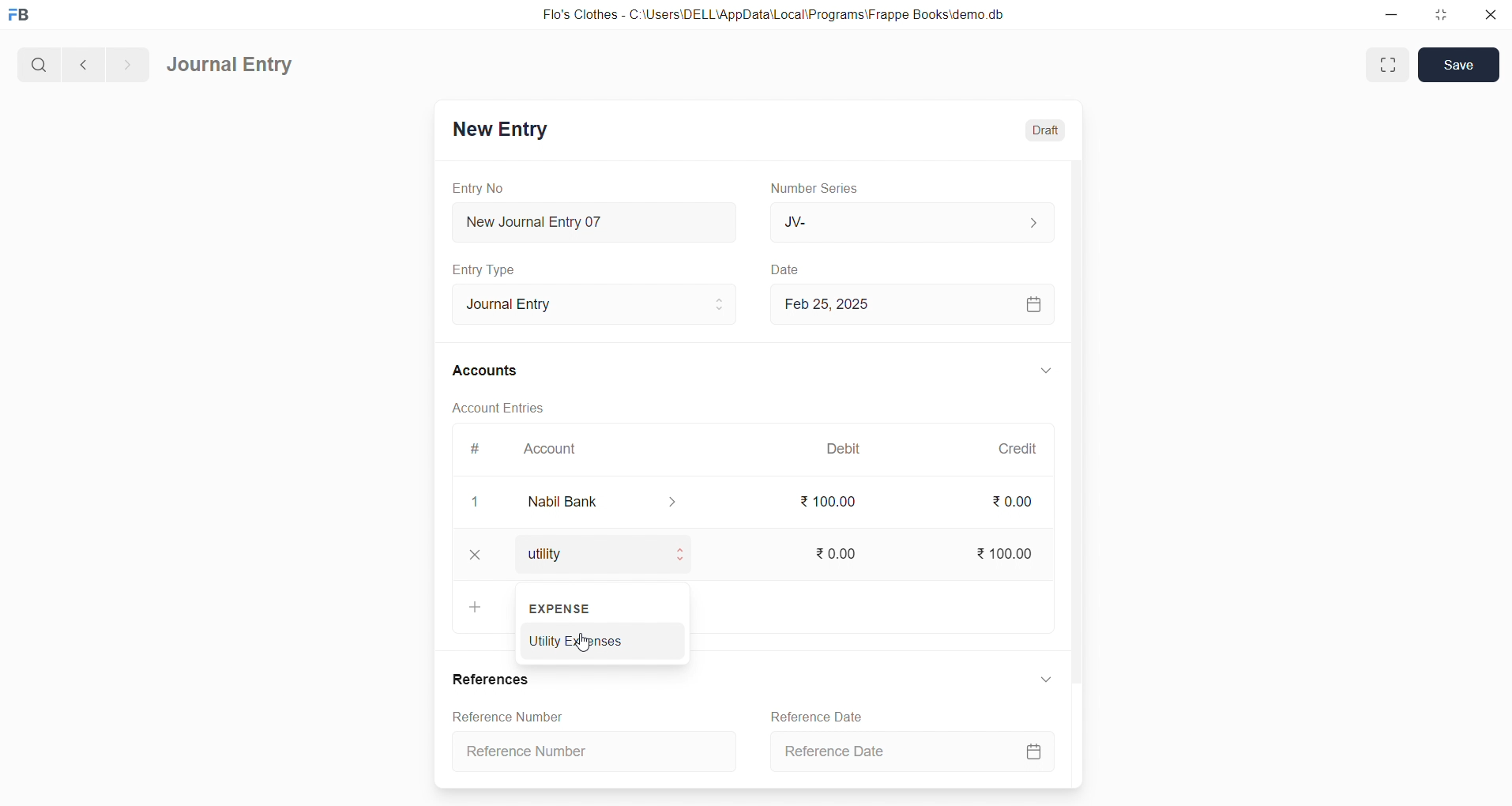  Describe the element at coordinates (587, 645) in the screenshot. I see `cursor` at that location.